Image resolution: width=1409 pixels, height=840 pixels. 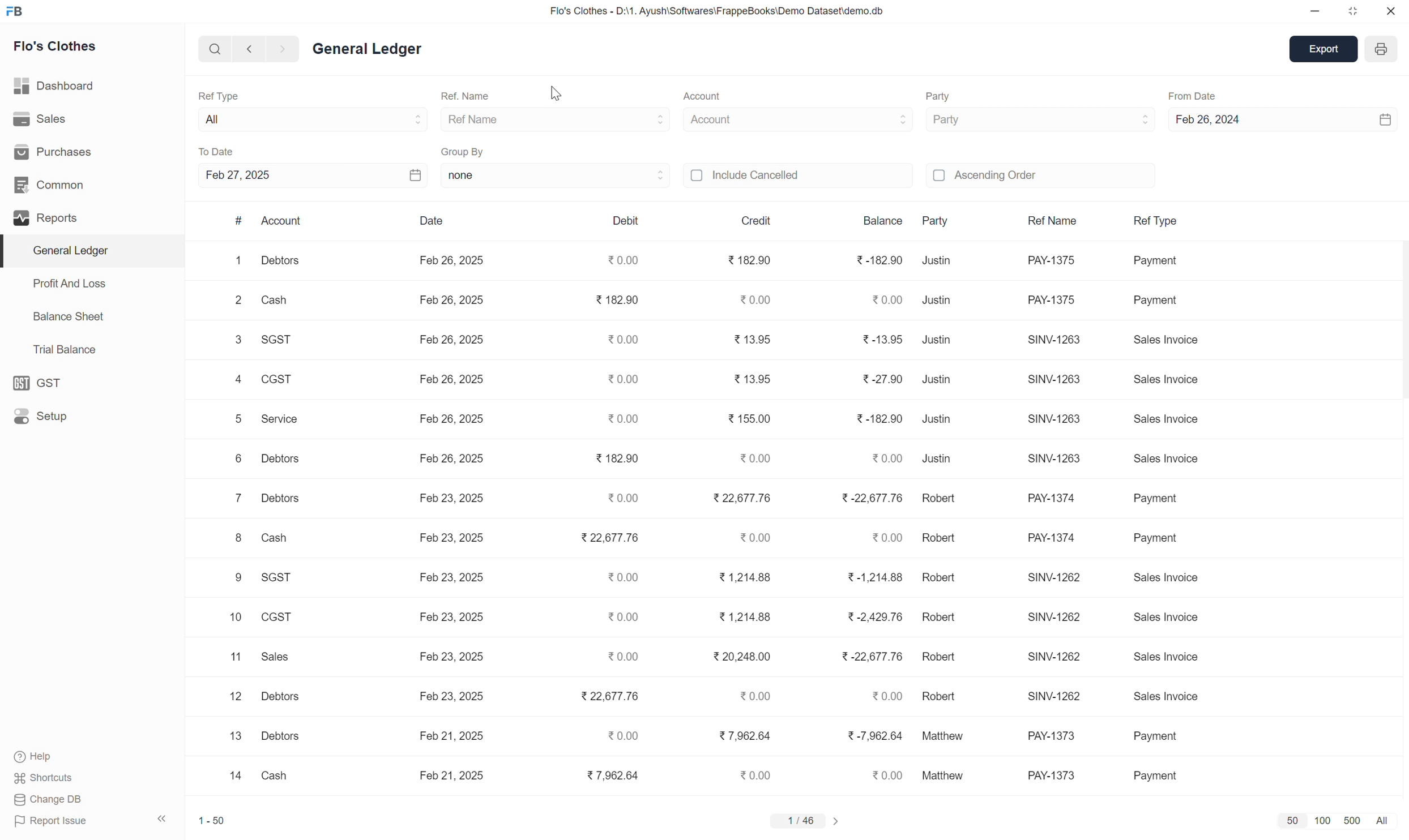 I want to click on debtors, so click(x=287, y=500).